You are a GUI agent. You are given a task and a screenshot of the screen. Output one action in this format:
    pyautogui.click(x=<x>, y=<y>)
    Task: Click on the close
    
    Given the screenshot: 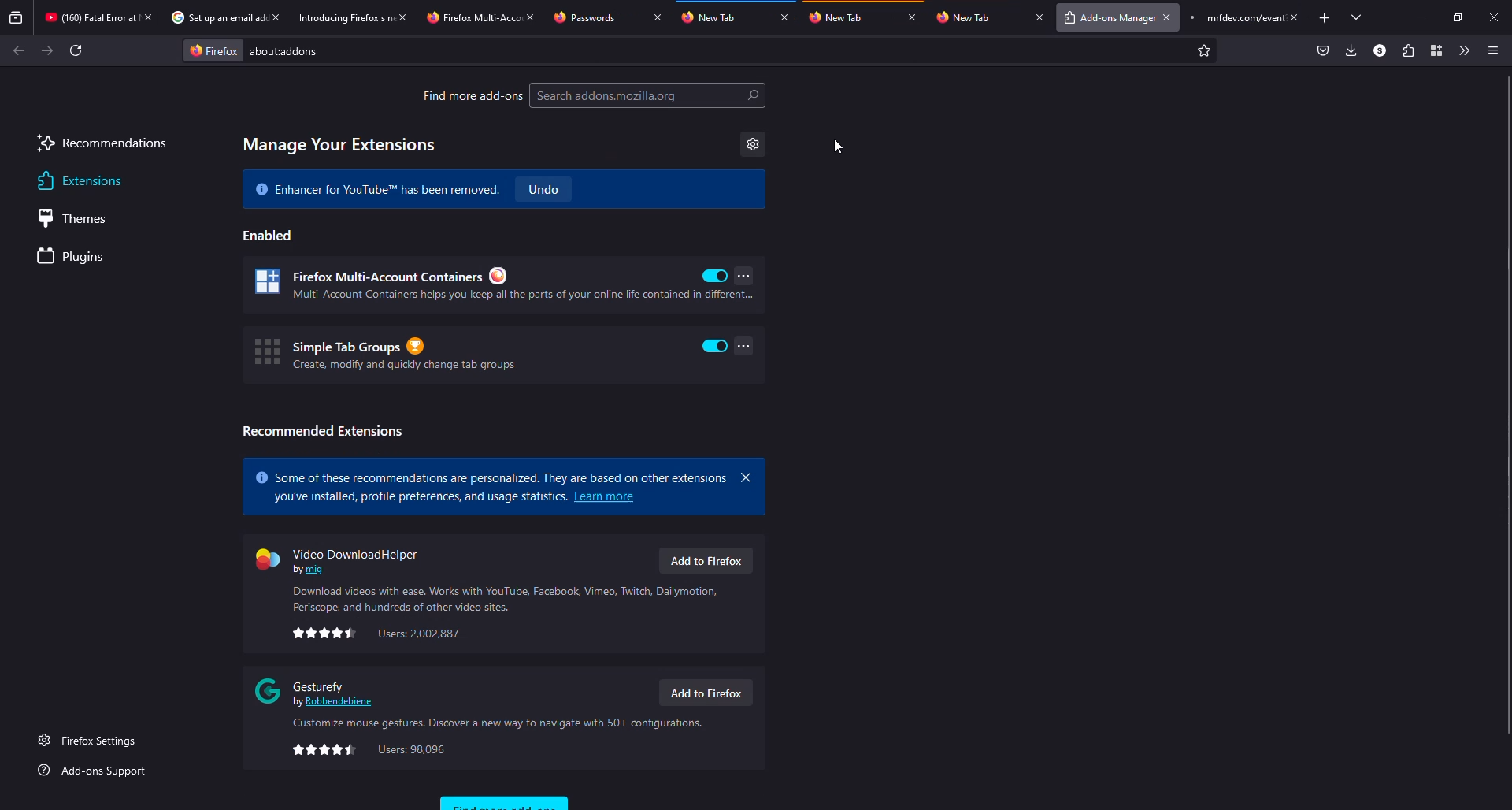 What is the action you would take?
    pyautogui.click(x=1039, y=17)
    